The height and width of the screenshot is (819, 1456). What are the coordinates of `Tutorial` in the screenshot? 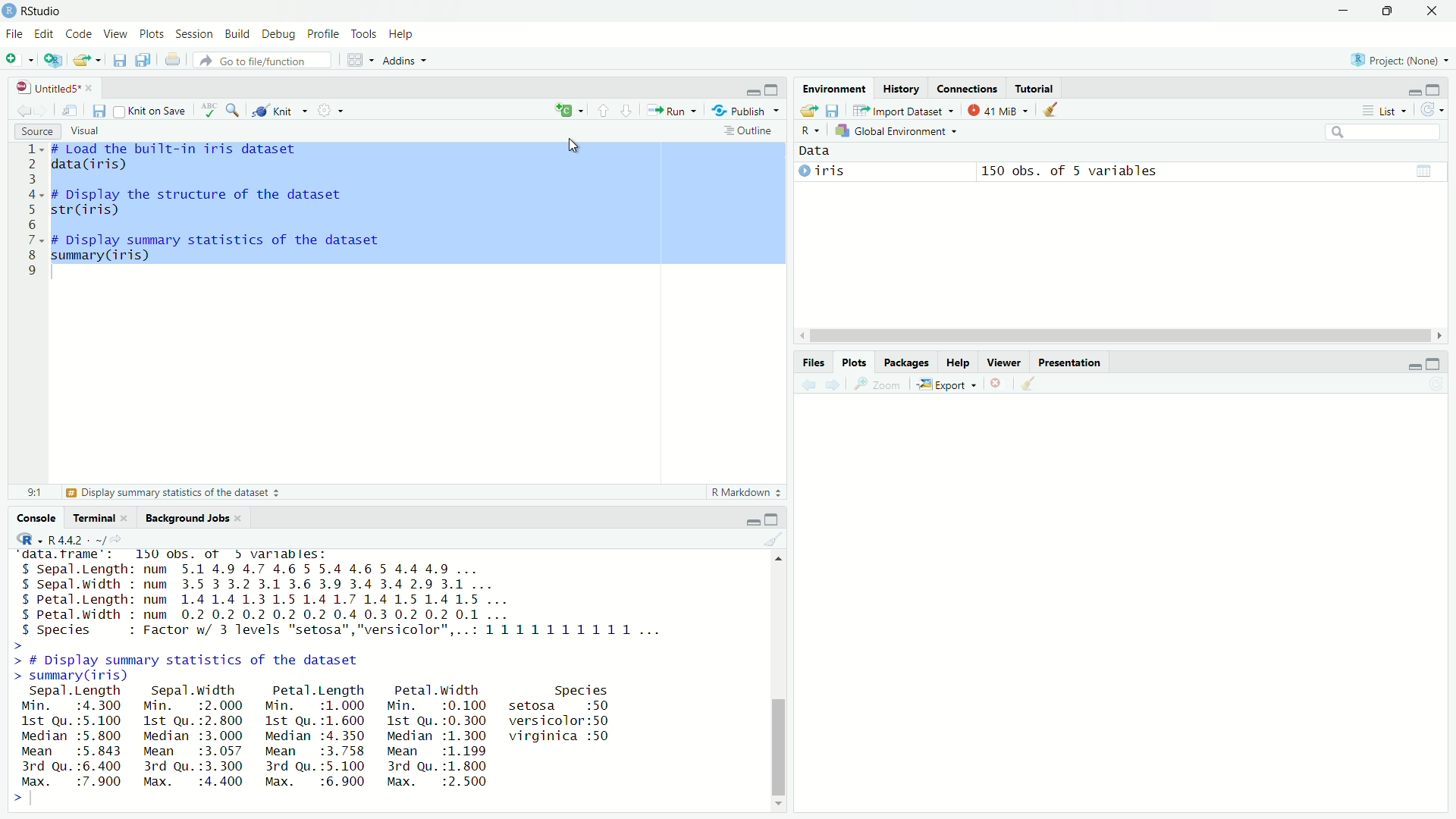 It's located at (1035, 86).